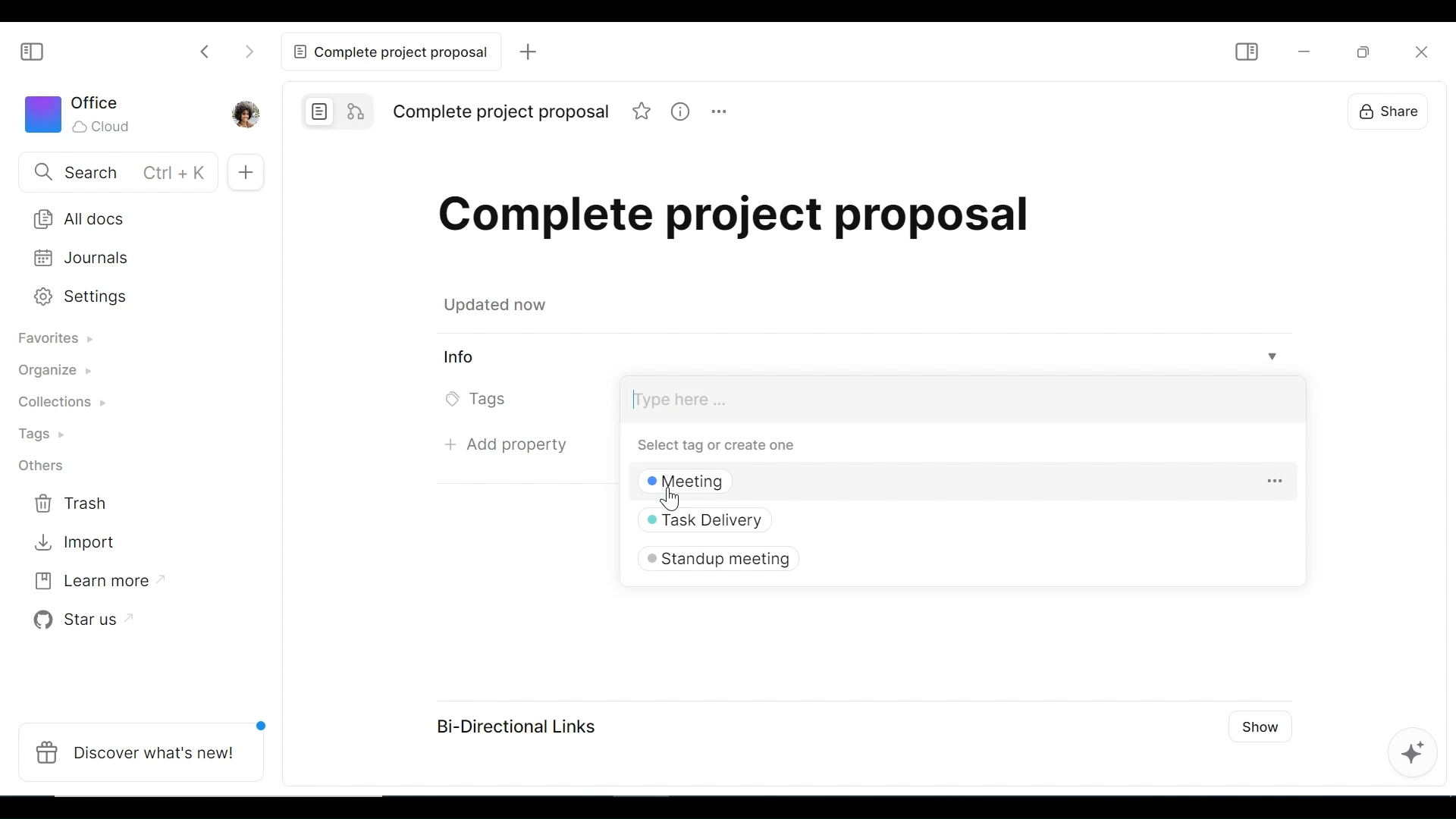  Describe the element at coordinates (863, 358) in the screenshot. I see `View Information` at that location.